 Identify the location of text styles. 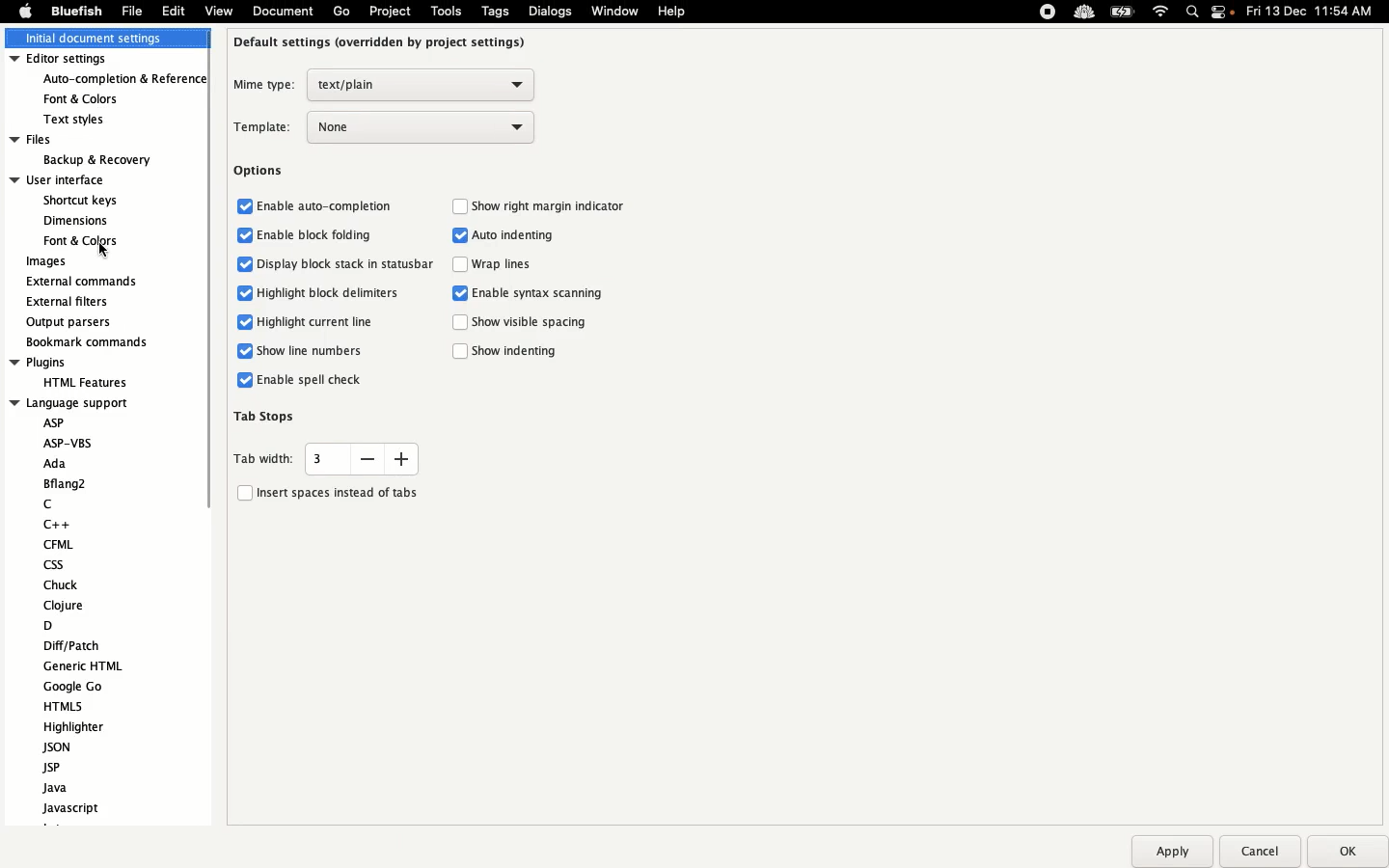
(87, 120).